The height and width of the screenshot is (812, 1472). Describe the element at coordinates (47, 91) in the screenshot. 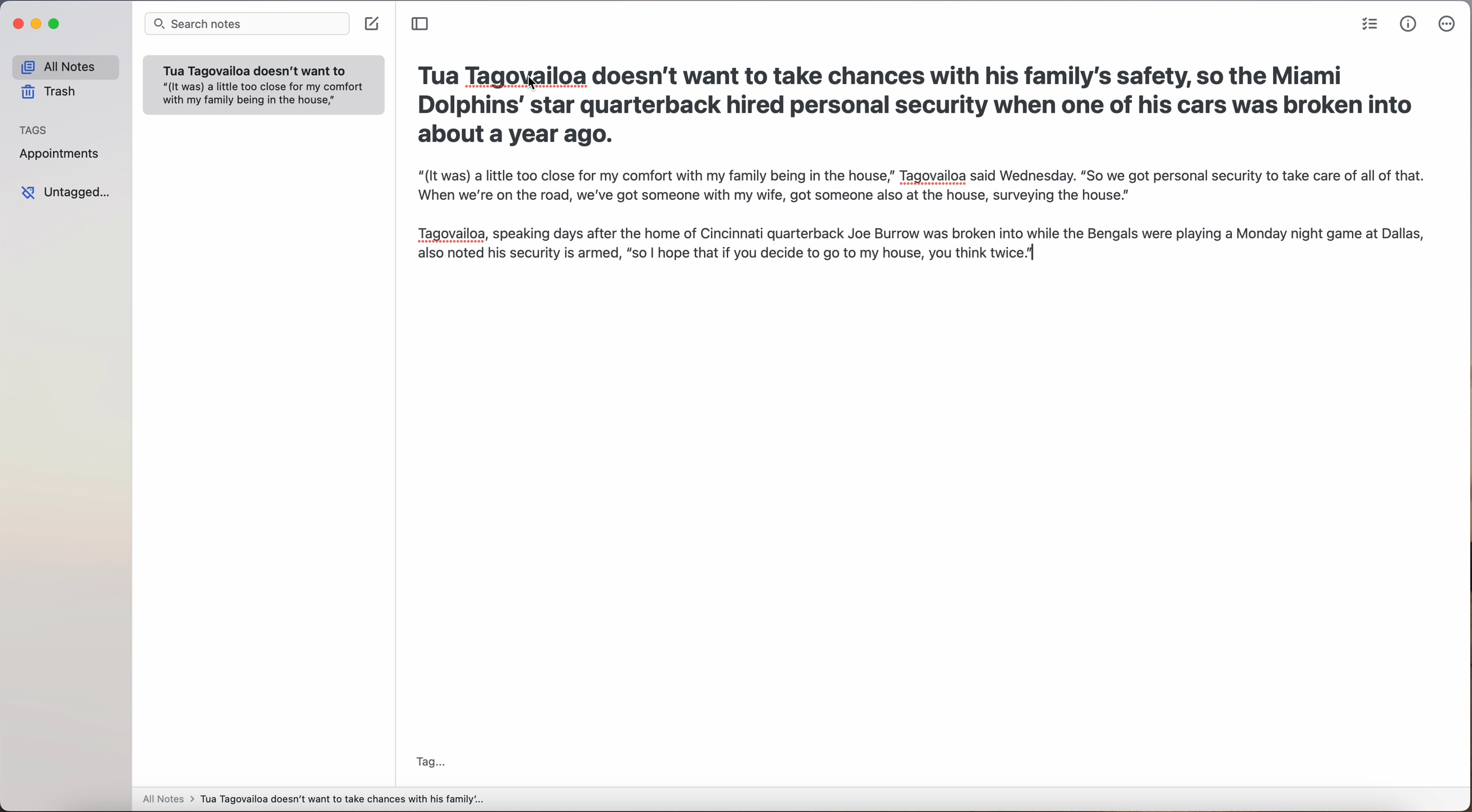

I see `trash` at that location.